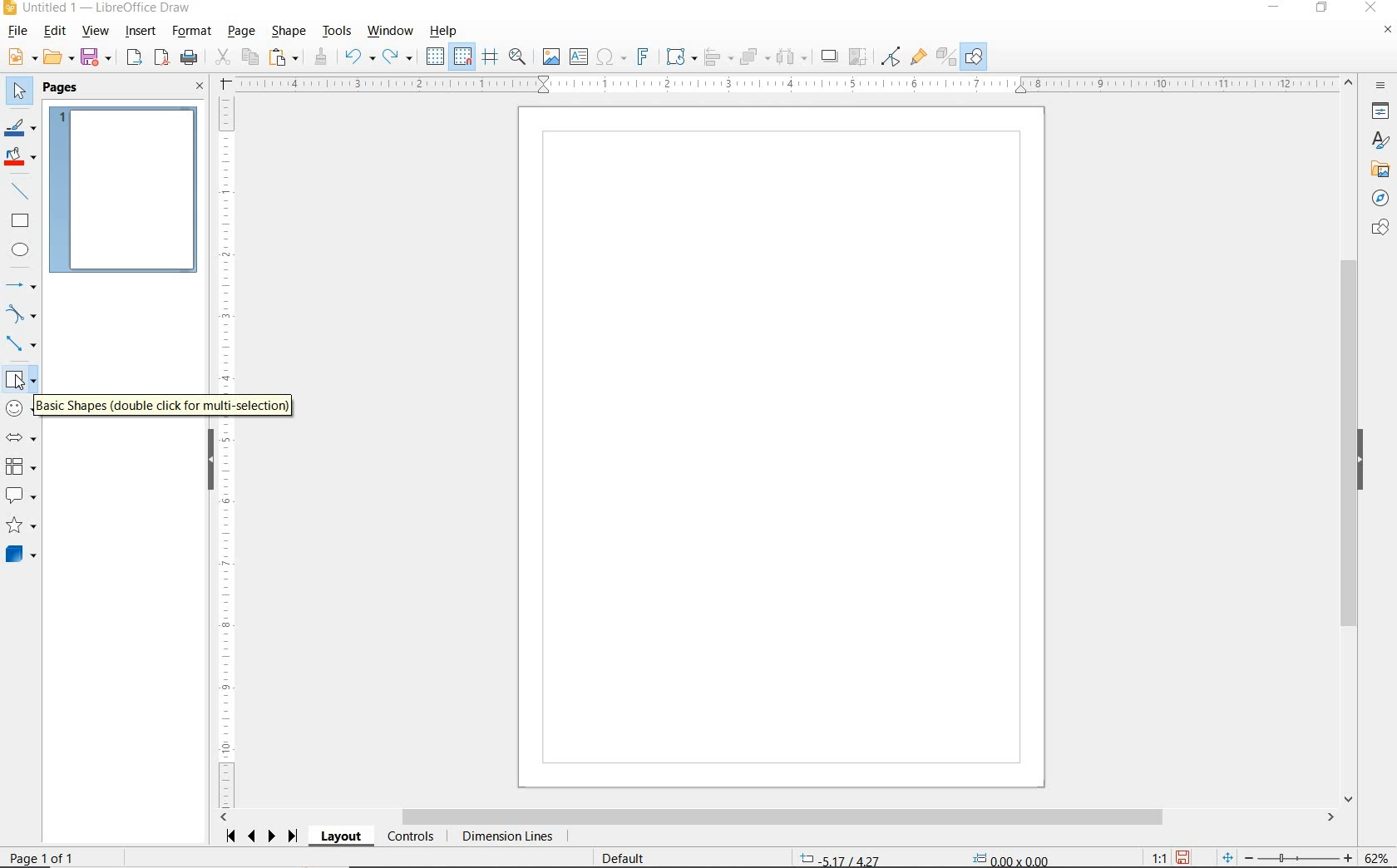 The height and width of the screenshot is (868, 1397). I want to click on CALLOUT SHAPES, so click(22, 496).